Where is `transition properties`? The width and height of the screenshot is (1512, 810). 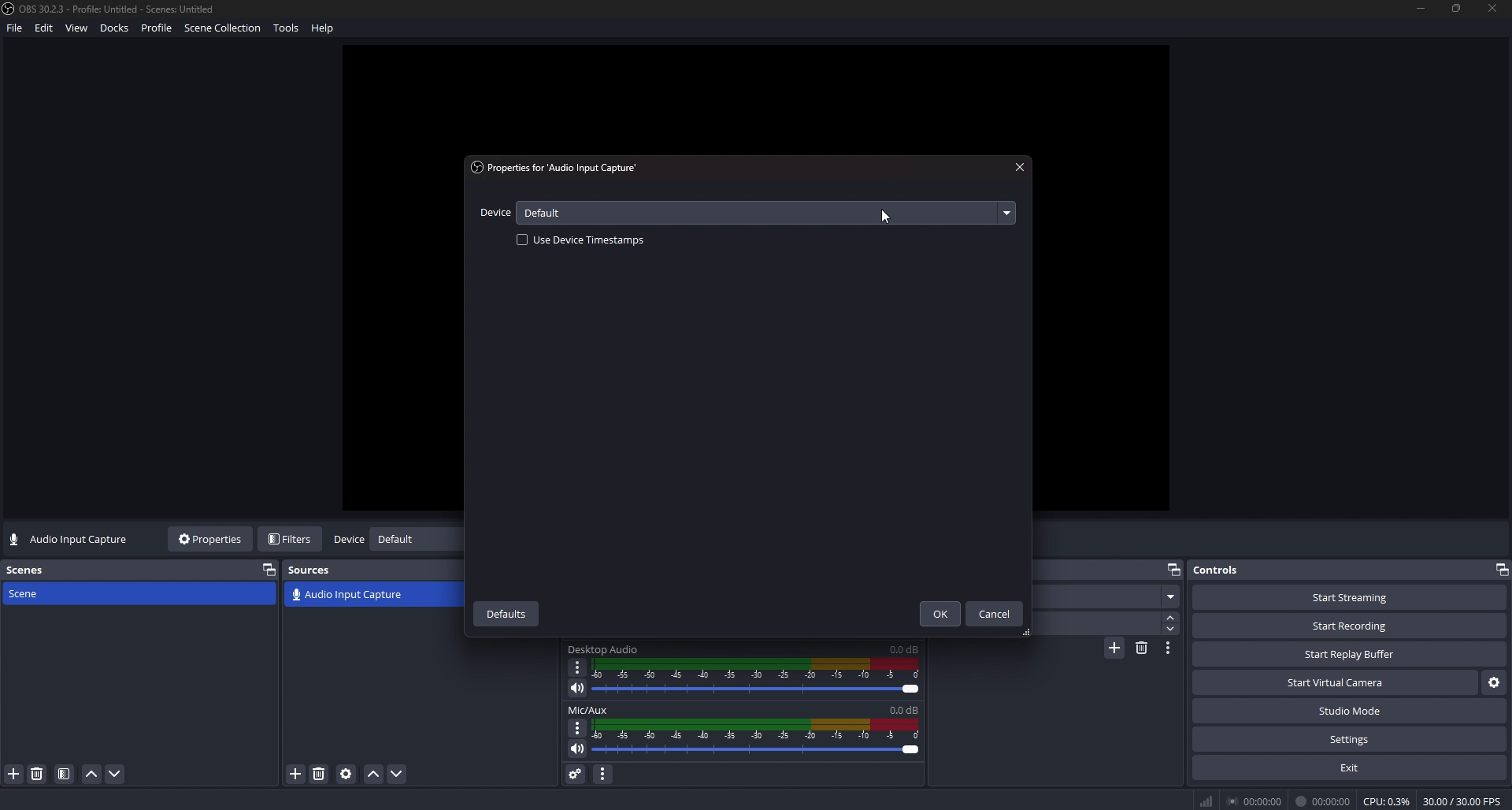
transition properties is located at coordinates (1169, 648).